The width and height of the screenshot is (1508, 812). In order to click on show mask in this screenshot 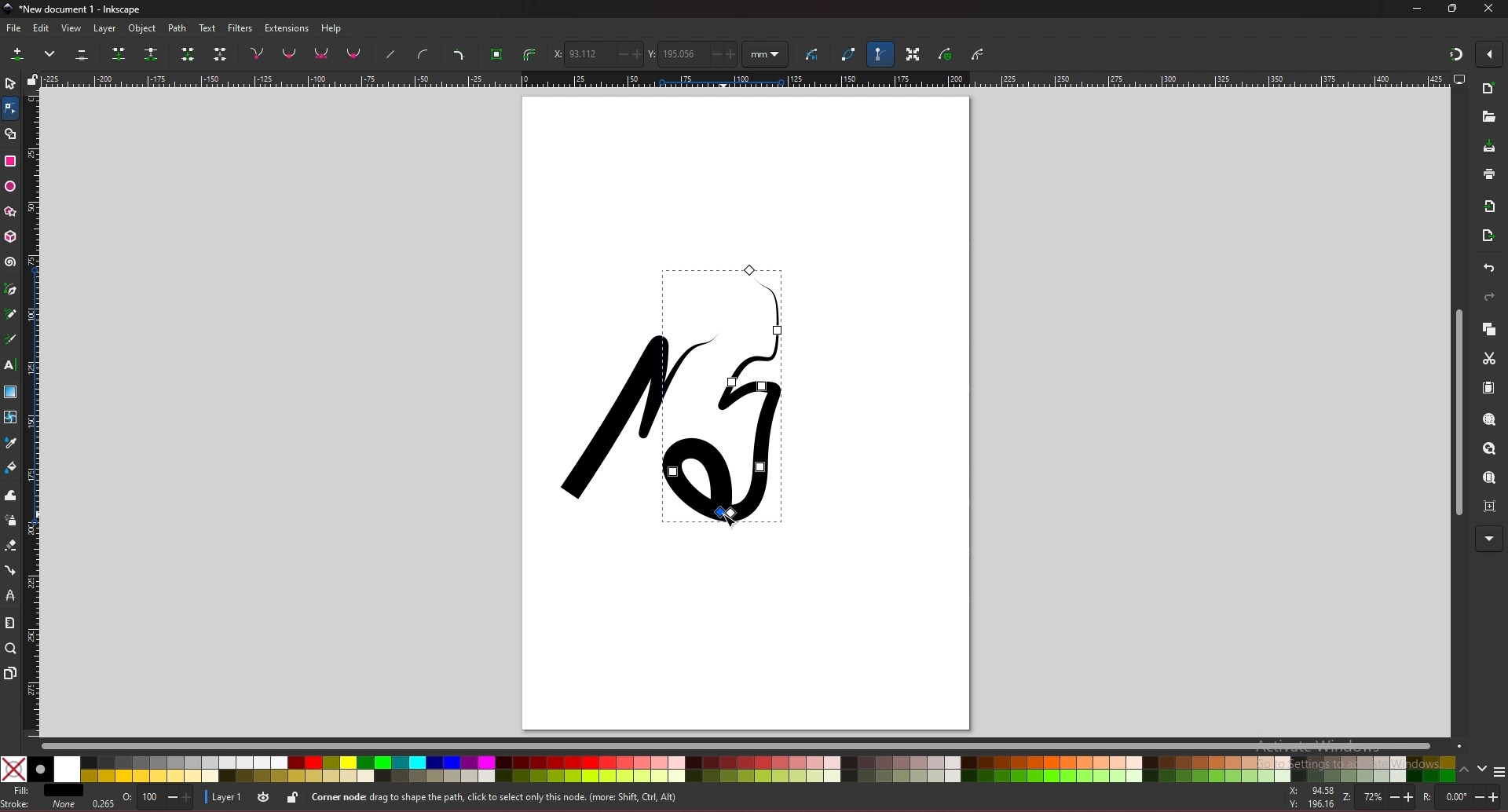, I will do `click(946, 53)`.